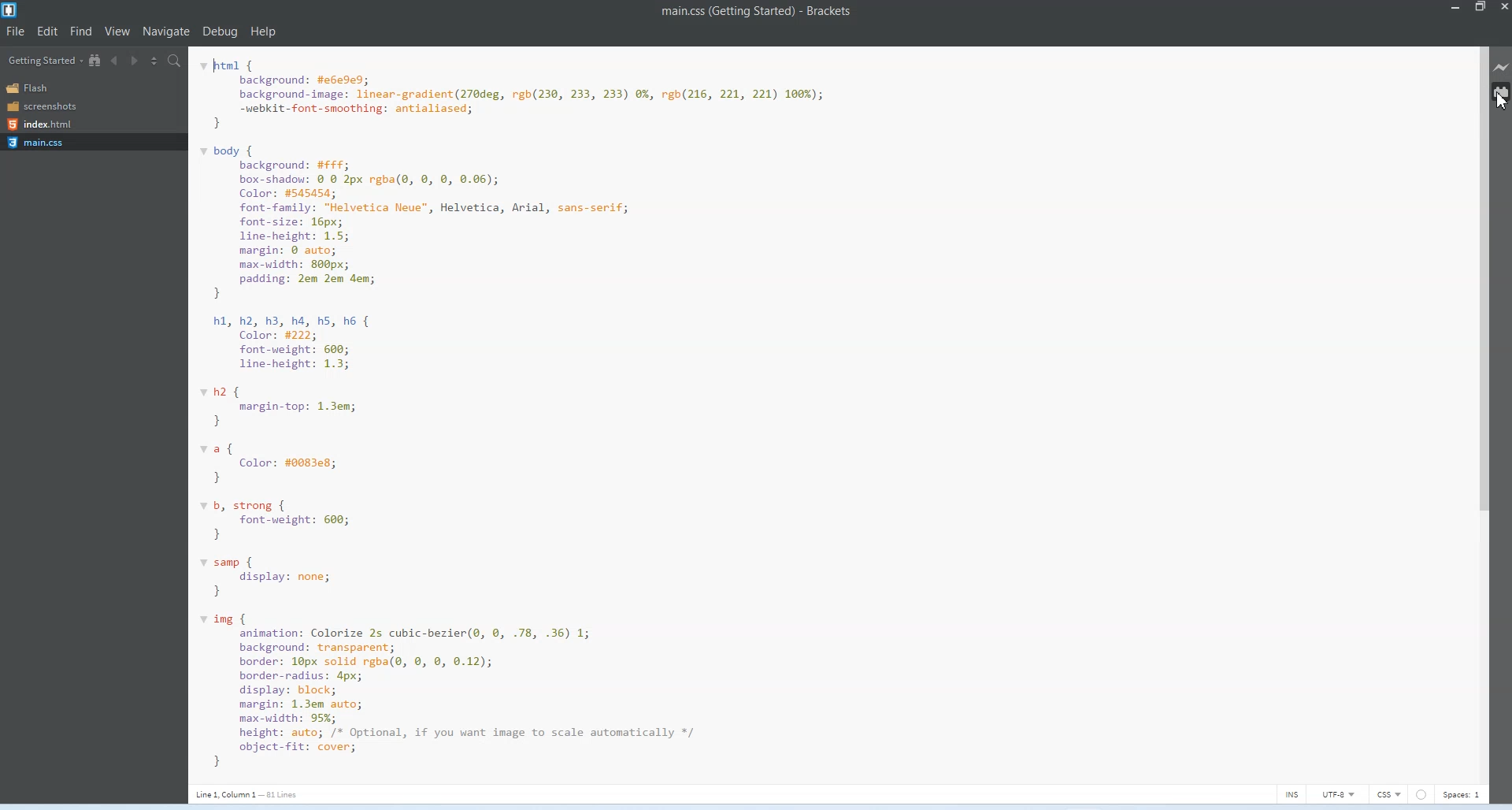 Image resolution: width=1512 pixels, height=810 pixels. Describe the element at coordinates (1291, 794) in the screenshot. I see `INS` at that location.